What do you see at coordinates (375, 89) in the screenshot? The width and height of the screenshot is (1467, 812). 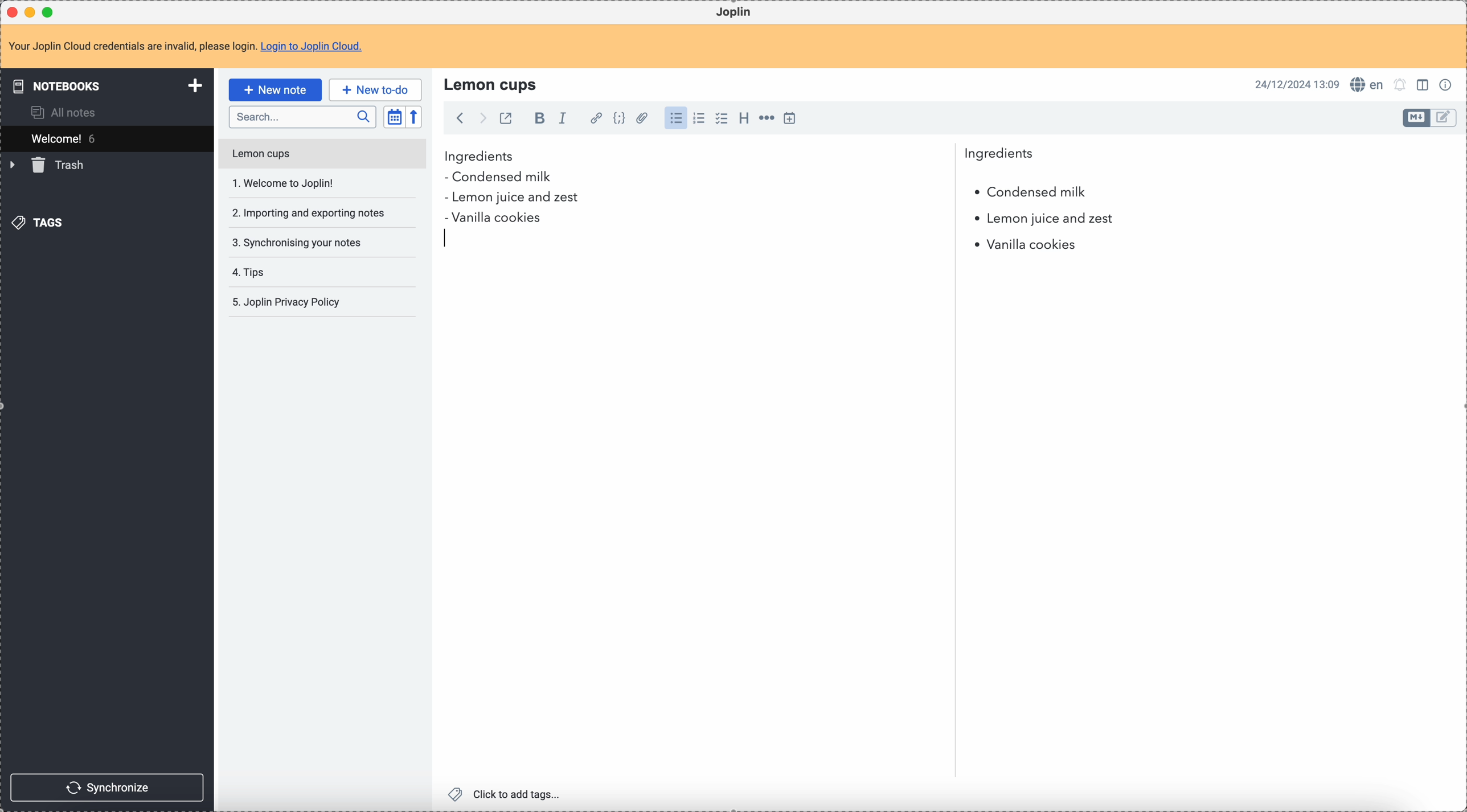 I see `new to-do` at bounding box center [375, 89].